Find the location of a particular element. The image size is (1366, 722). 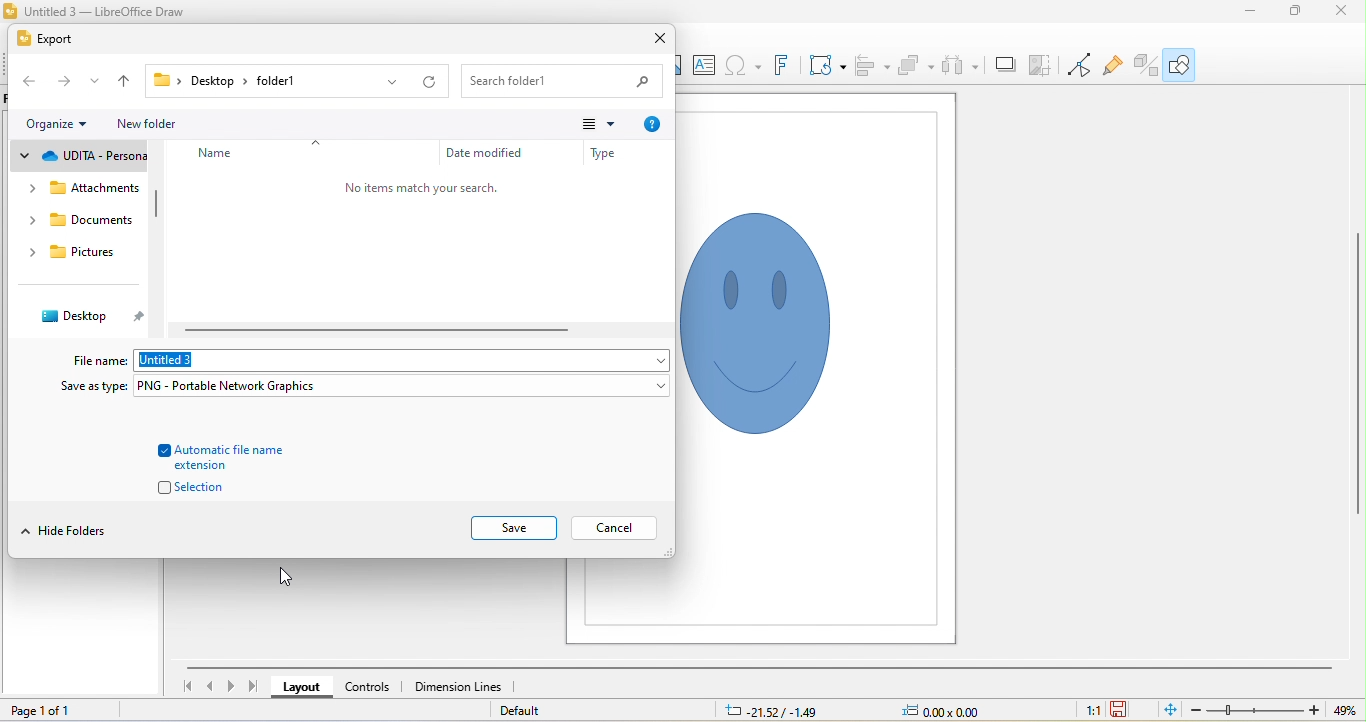

drop down is located at coordinates (317, 141).